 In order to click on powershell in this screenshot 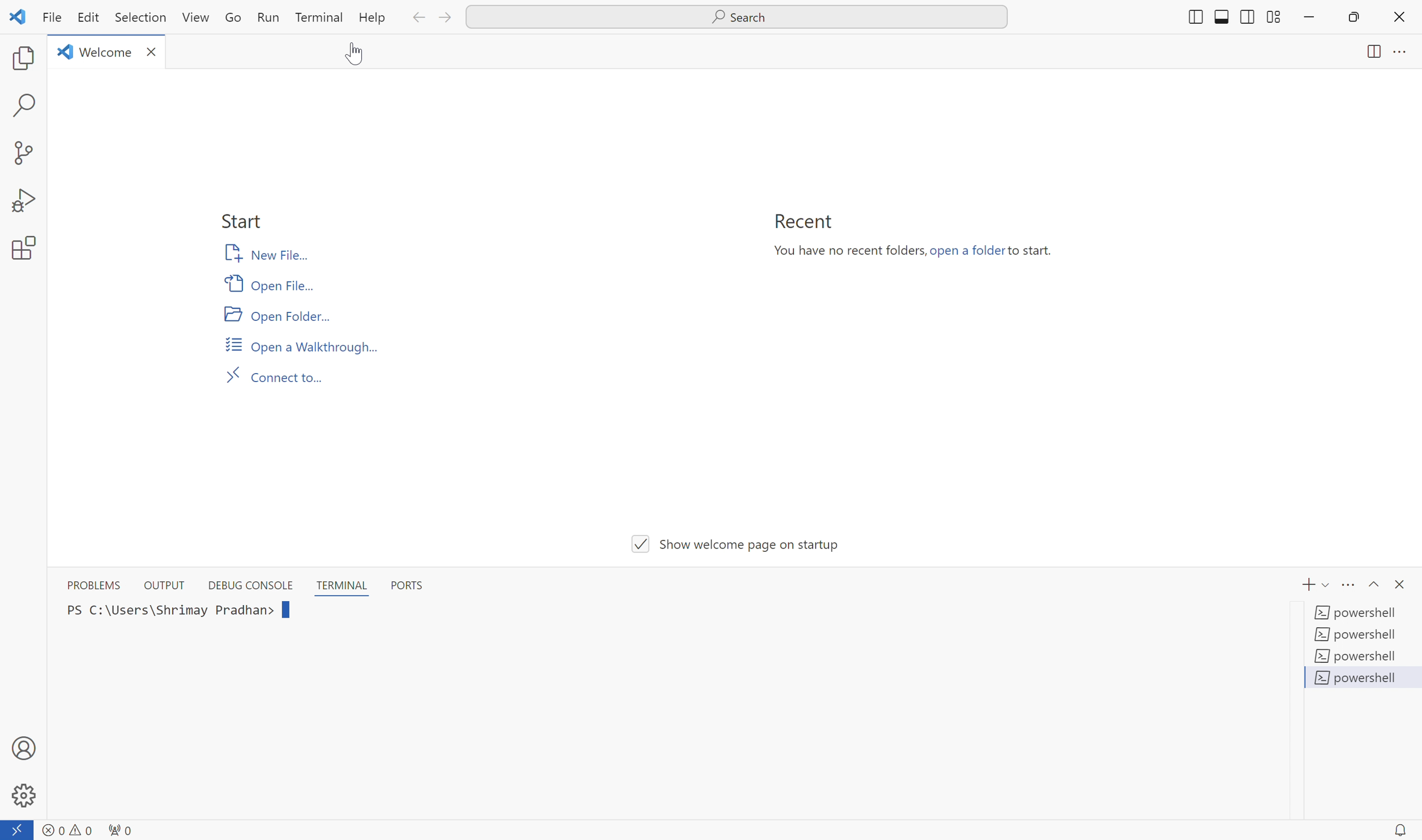, I will do `click(1355, 612)`.